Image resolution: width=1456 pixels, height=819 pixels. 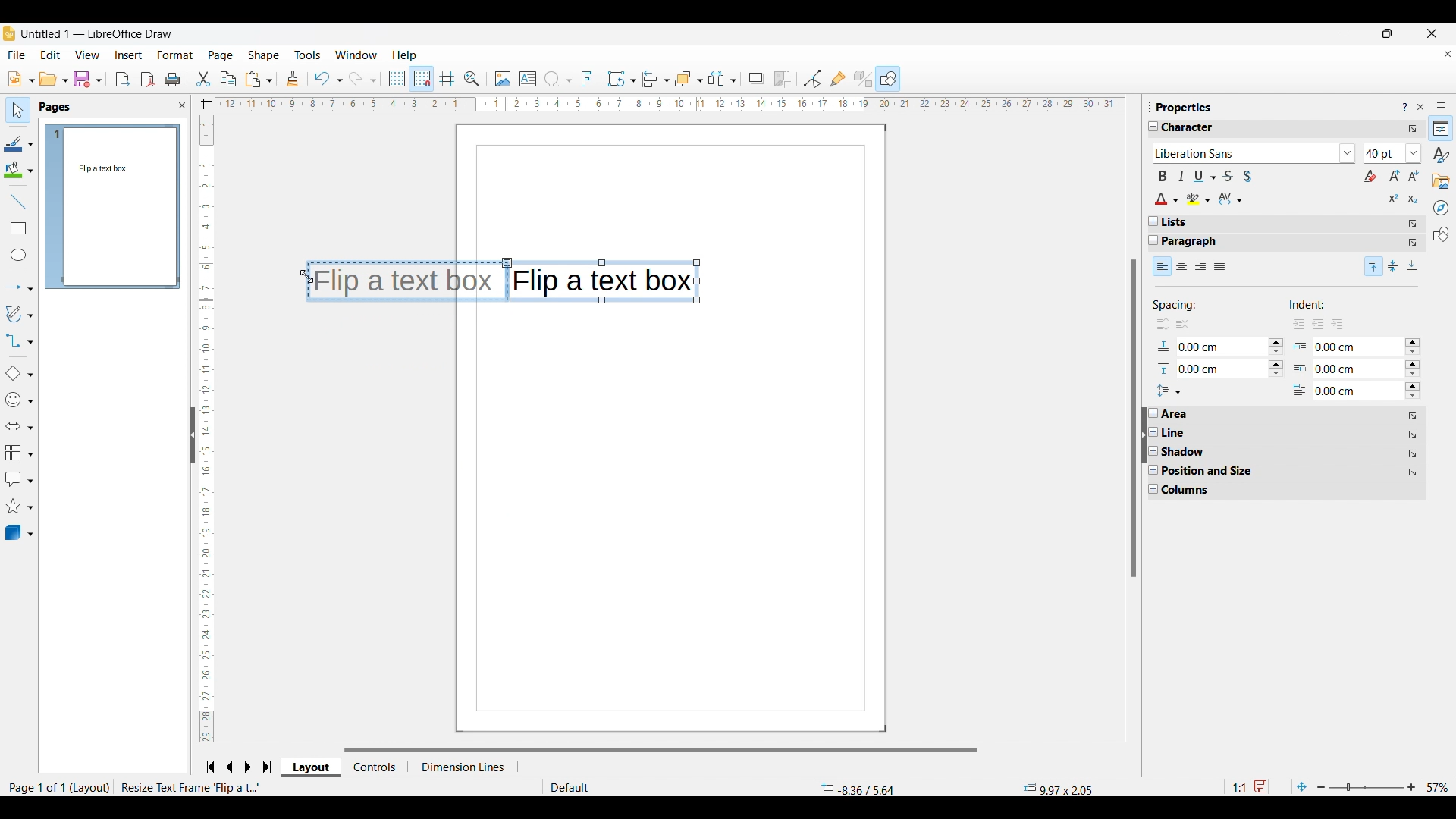 What do you see at coordinates (87, 55) in the screenshot?
I see `View menu` at bounding box center [87, 55].